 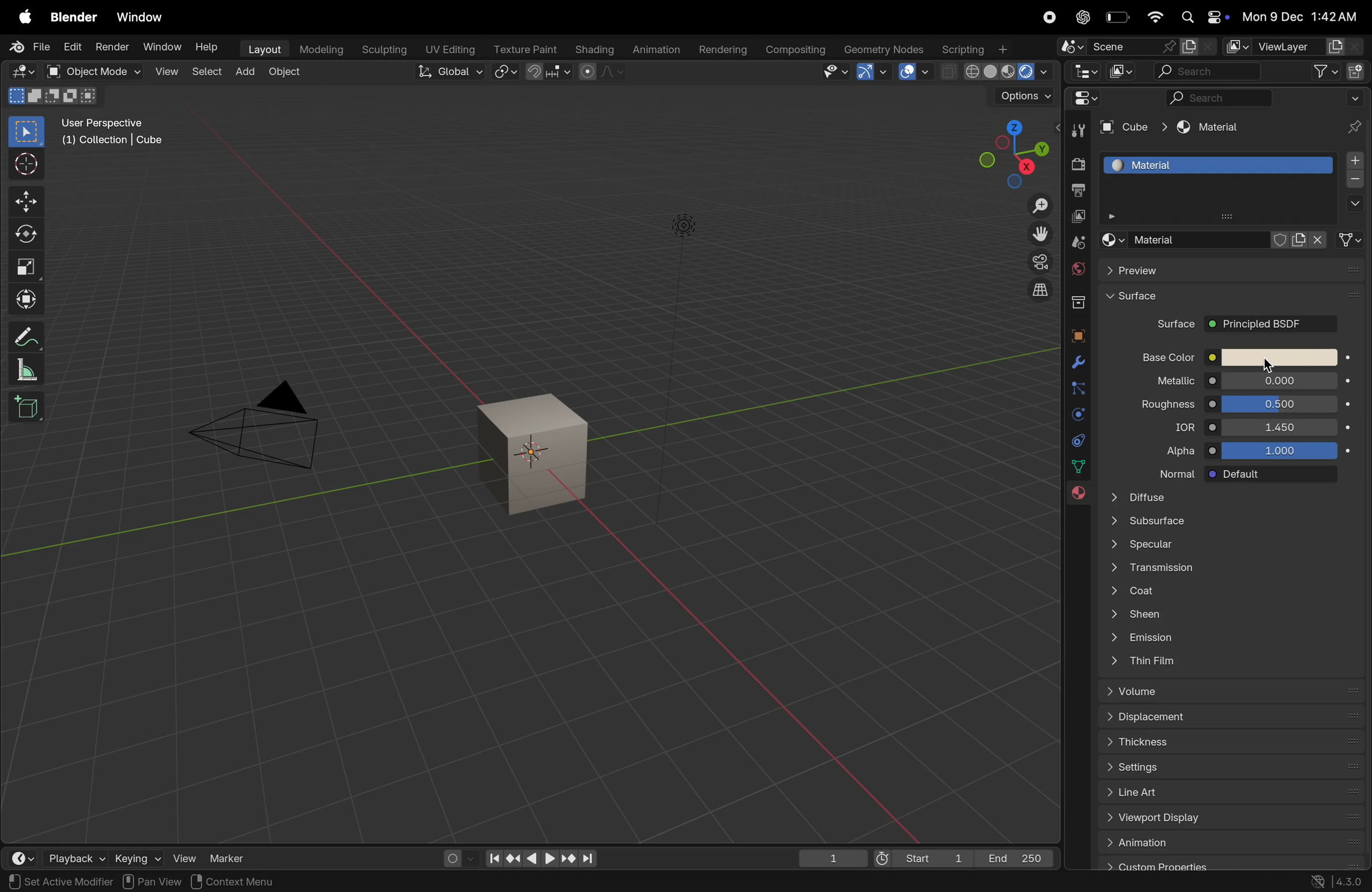 What do you see at coordinates (22, 71) in the screenshot?
I see `editor type` at bounding box center [22, 71].